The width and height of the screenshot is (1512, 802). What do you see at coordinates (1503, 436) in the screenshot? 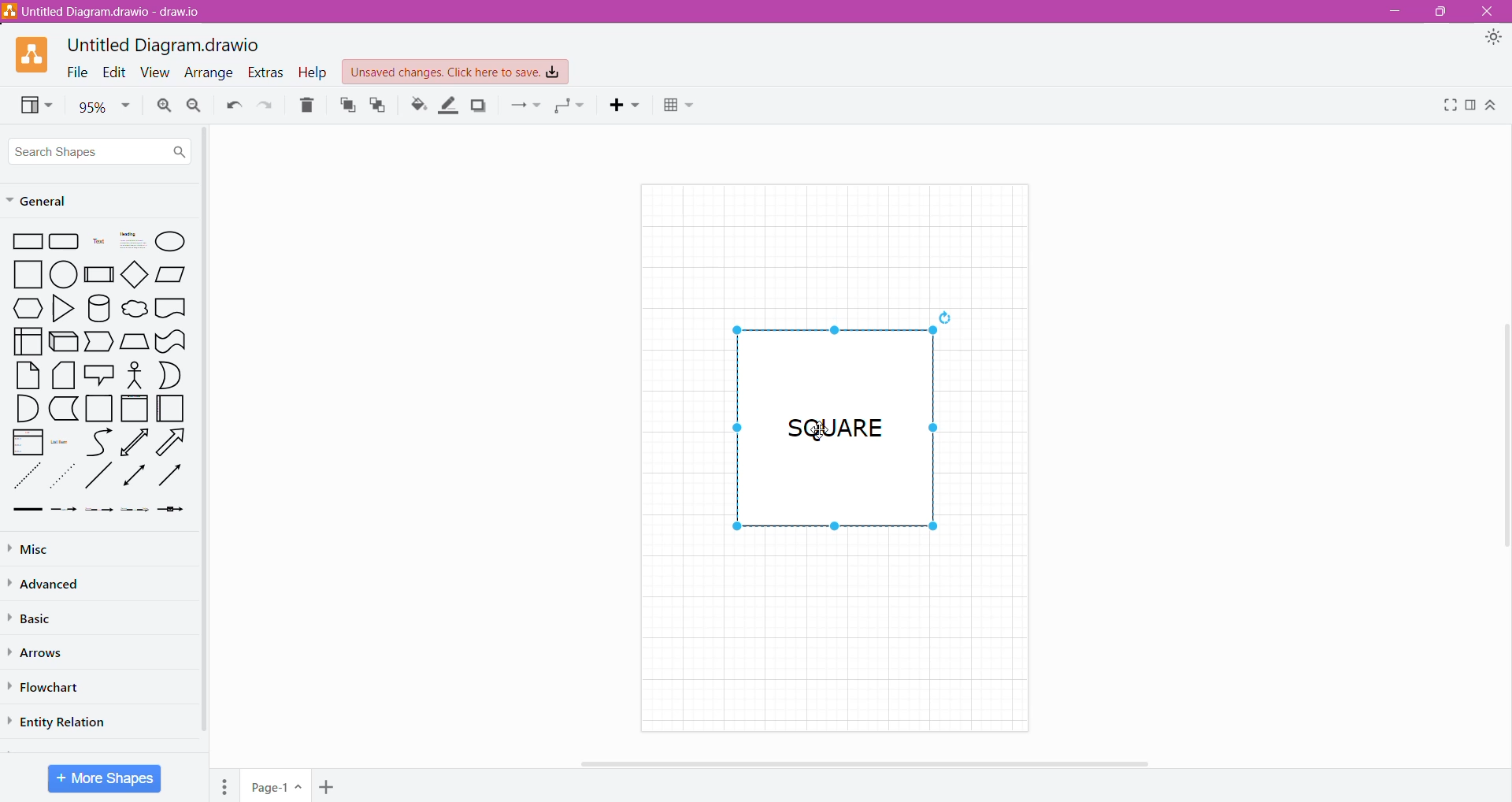
I see `Vertical Scroll Bar` at bounding box center [1503, 436].